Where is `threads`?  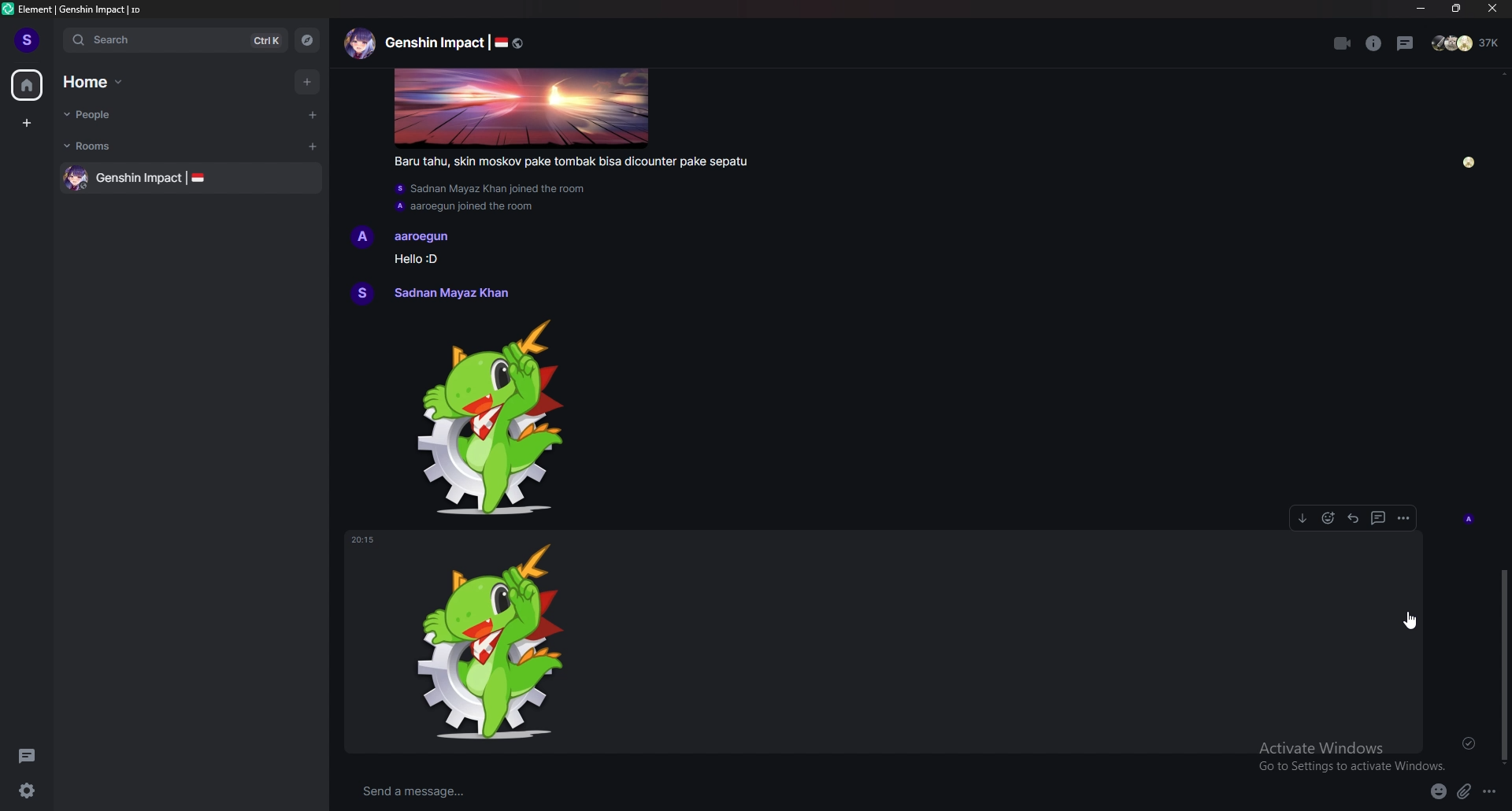
threads is located at coordinates (1406, 43).